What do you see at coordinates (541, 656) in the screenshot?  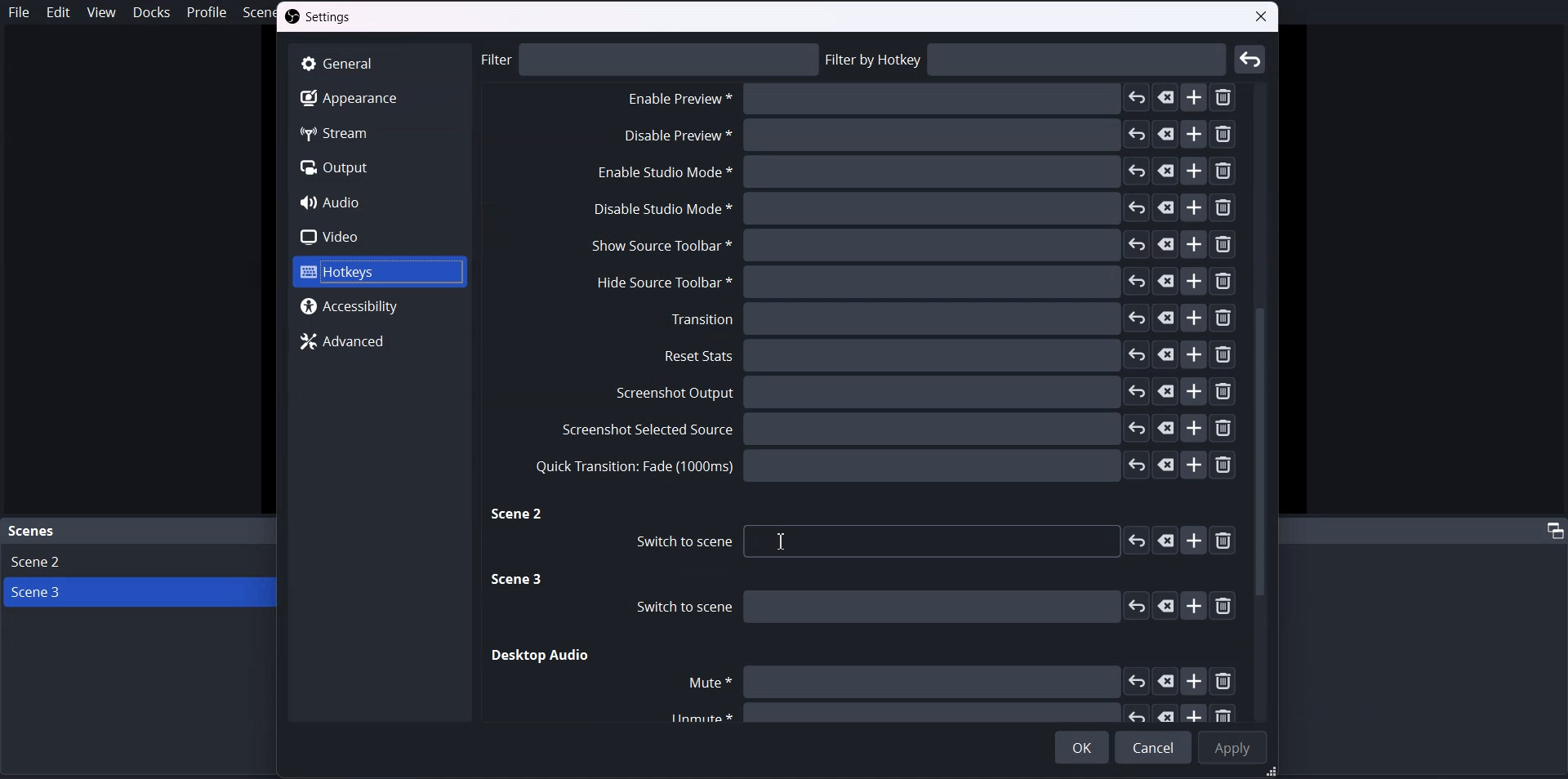 I see `Desktop audio` at bounding box center [541, 656].